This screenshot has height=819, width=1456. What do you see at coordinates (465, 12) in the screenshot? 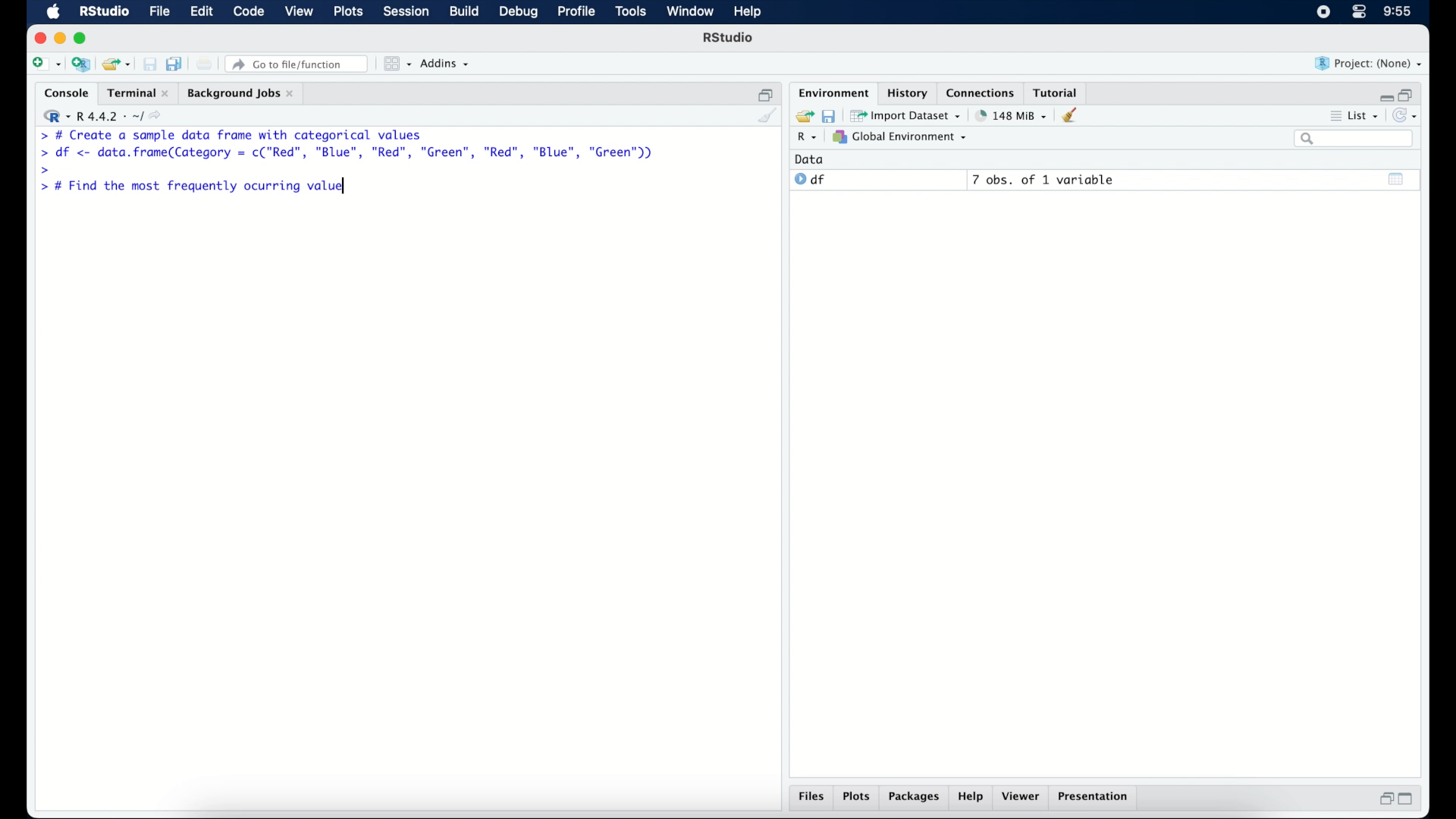
I see `build` at bounding box center [465, 12].